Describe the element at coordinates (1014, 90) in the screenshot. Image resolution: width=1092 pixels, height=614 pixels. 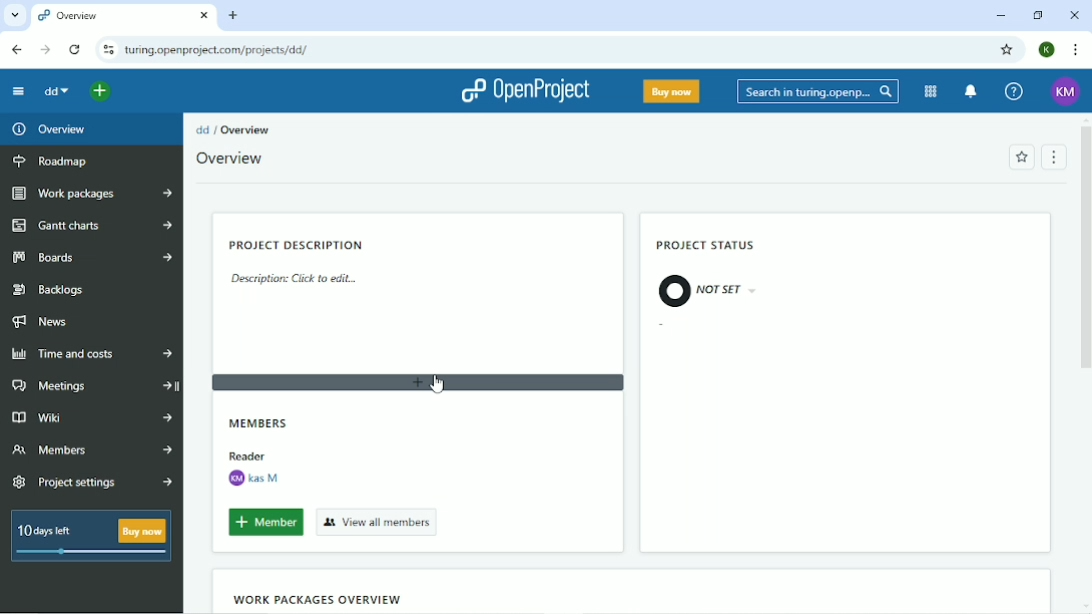
I see `Help` at that location.